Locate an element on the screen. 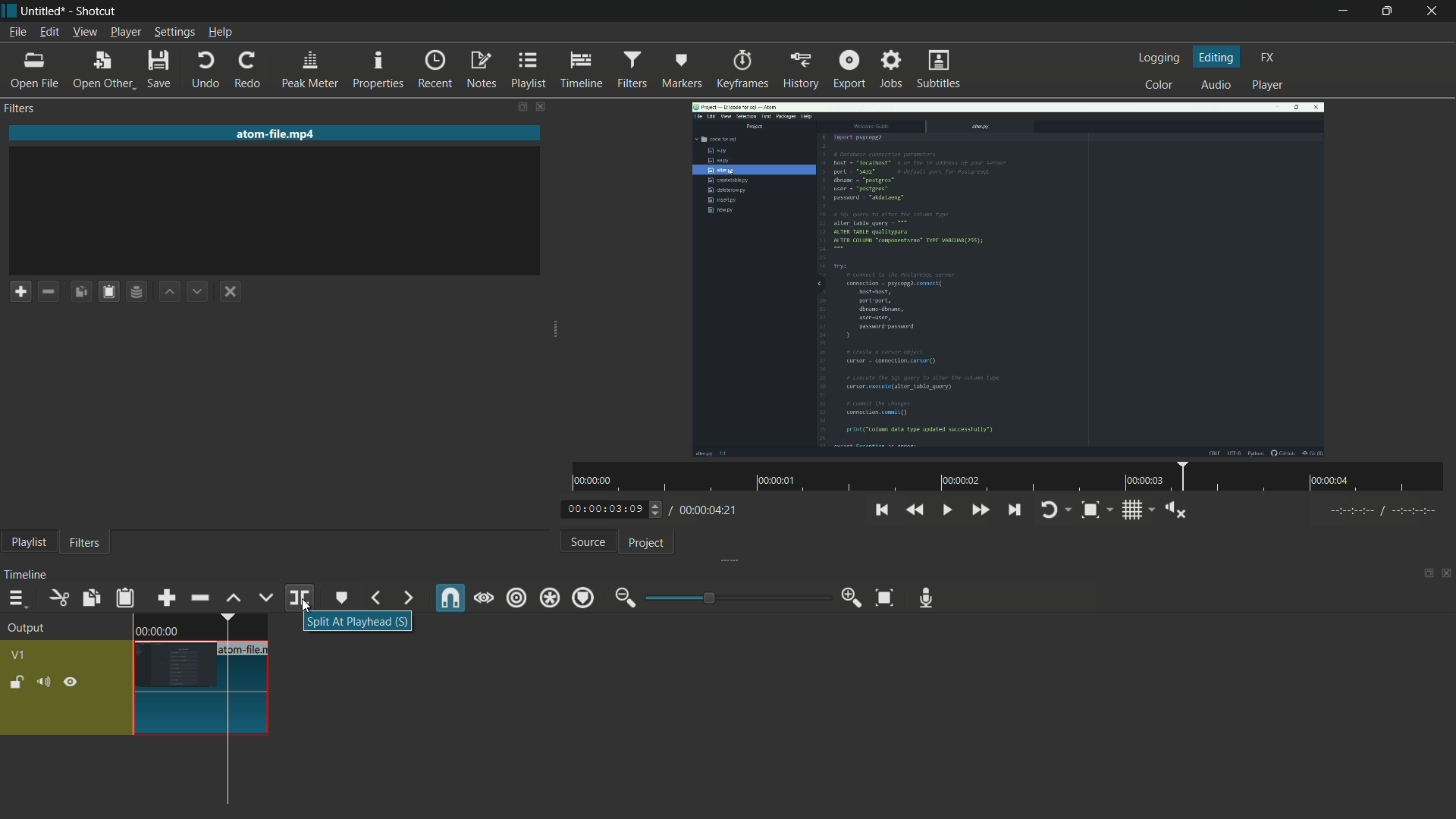 This screenshot has height=819, width=1456. color is located at coordinates (1159, 86).